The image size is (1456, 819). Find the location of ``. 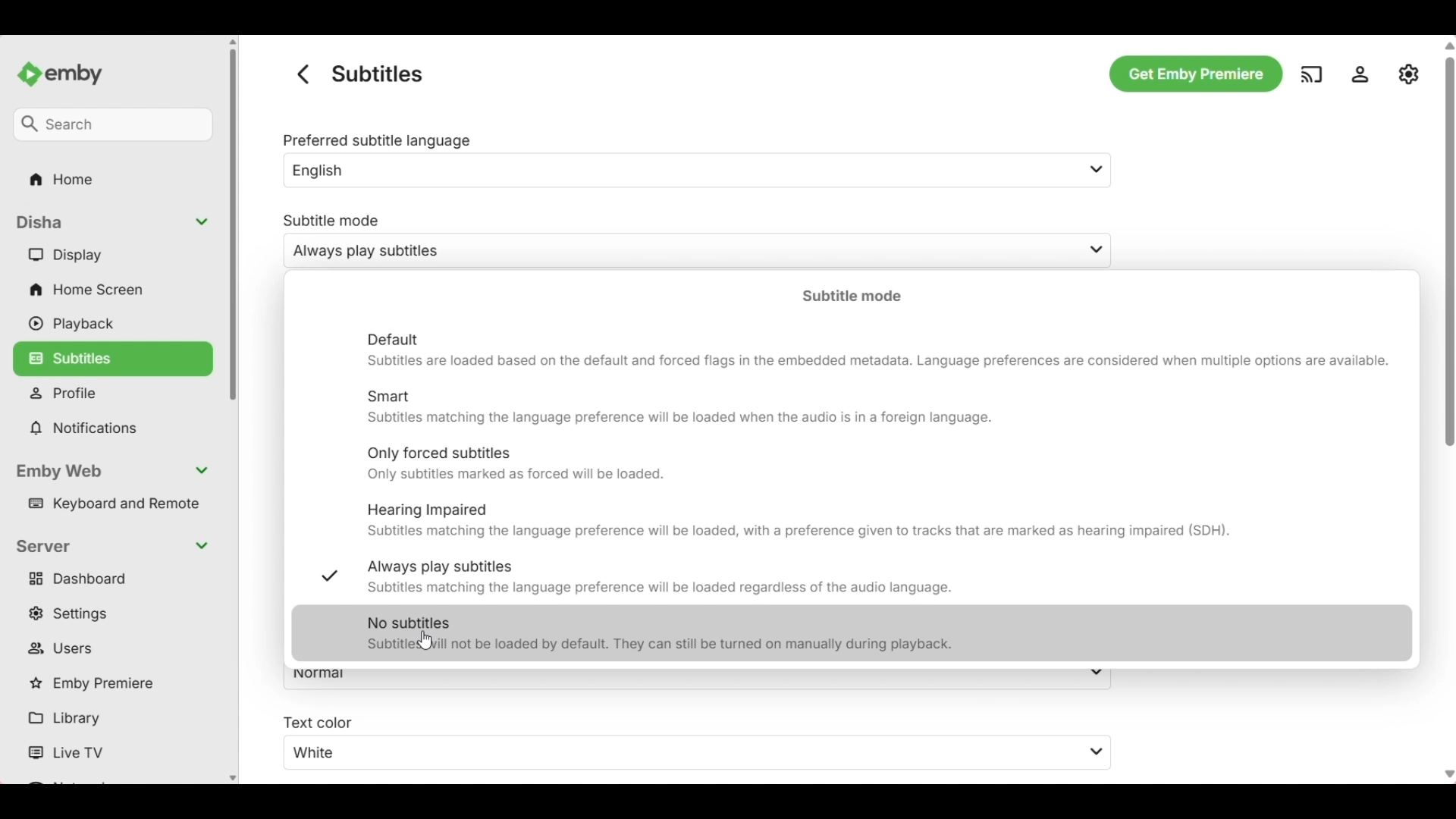

 is located at coordinates (58, 178).